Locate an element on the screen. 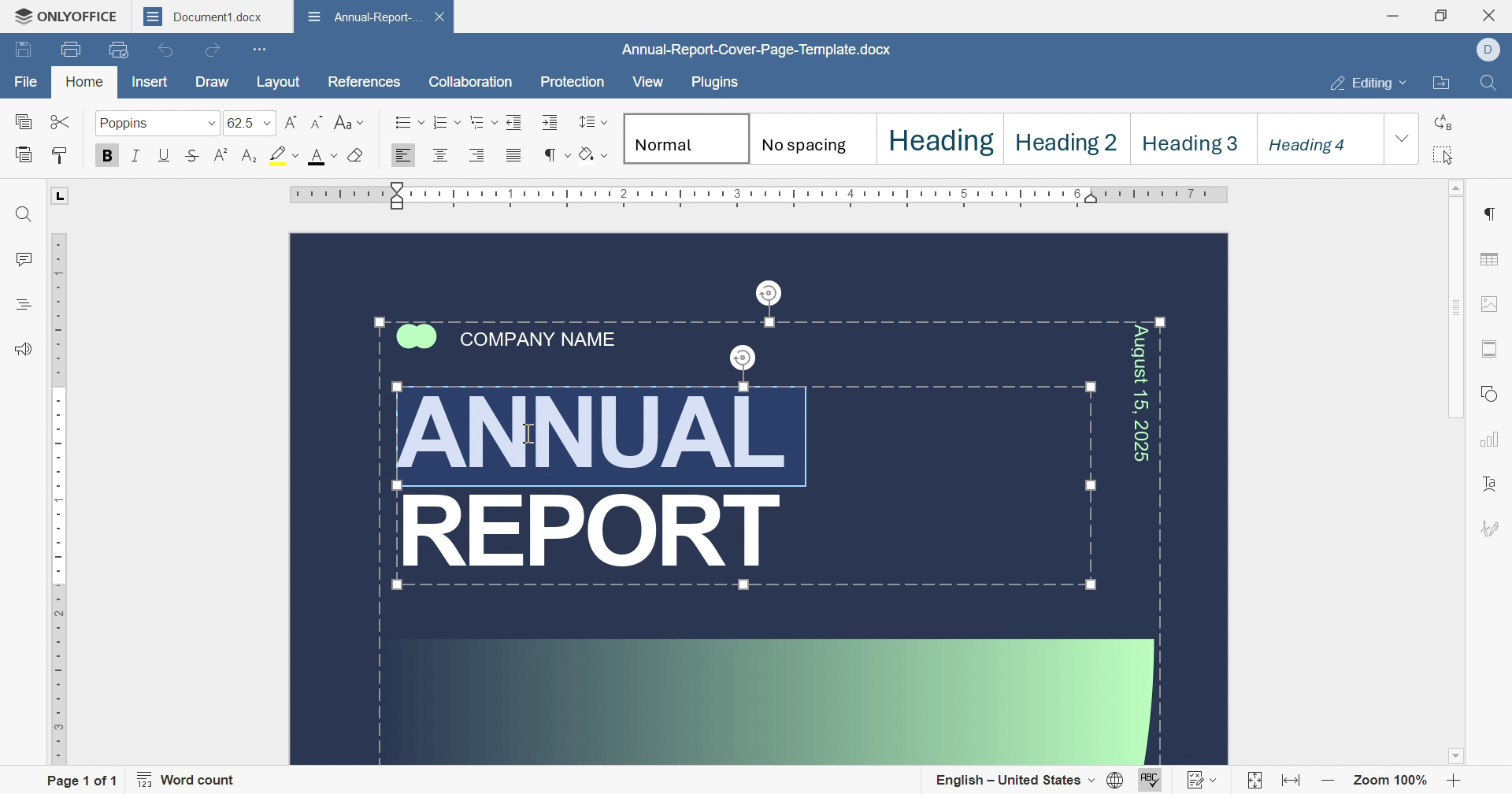 This screenshot has height=794, width=1512. font size is located at coordinates (252, 123).